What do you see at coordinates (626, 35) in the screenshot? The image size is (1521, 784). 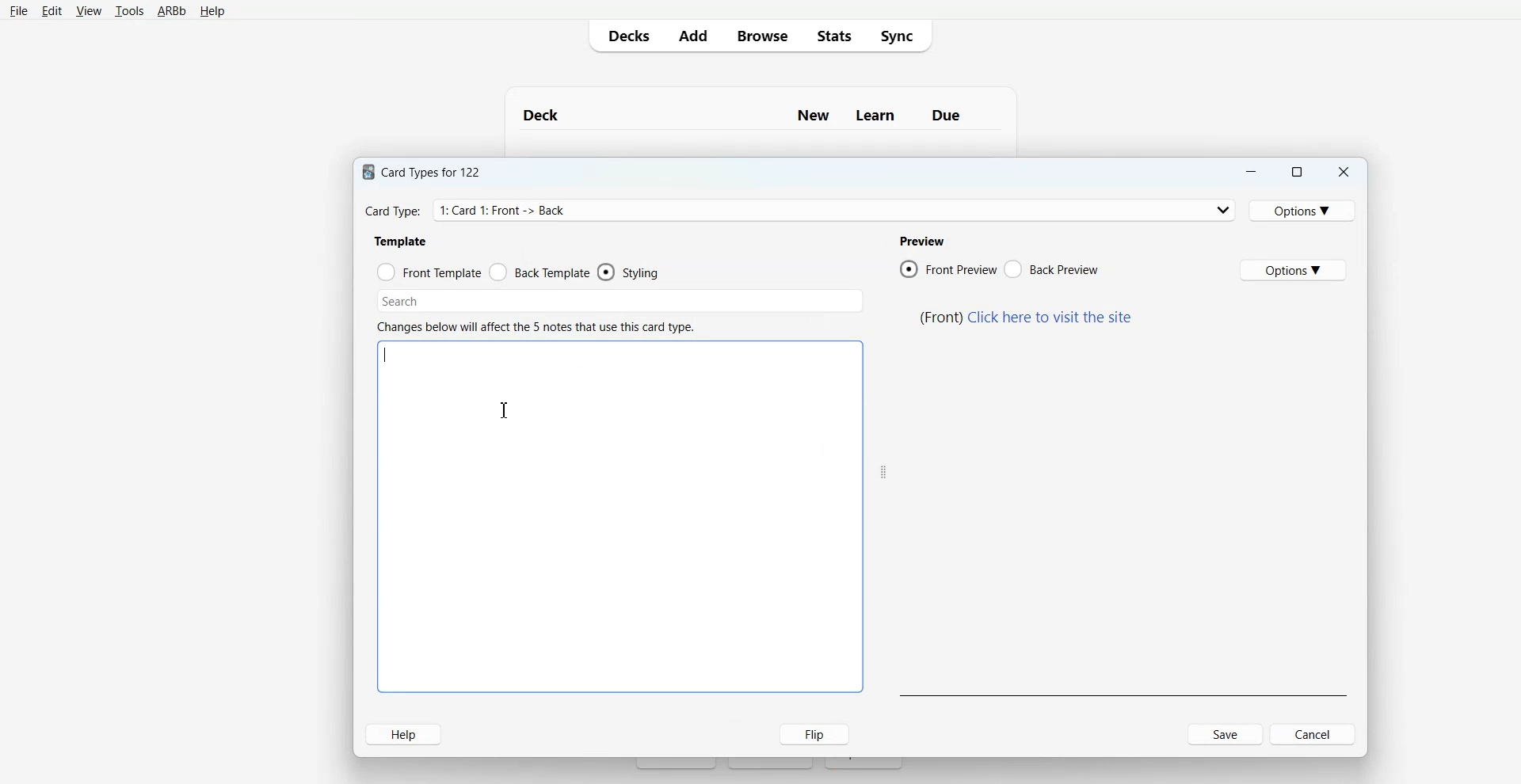 I see `Decks ` at bounding box center [626, 35].